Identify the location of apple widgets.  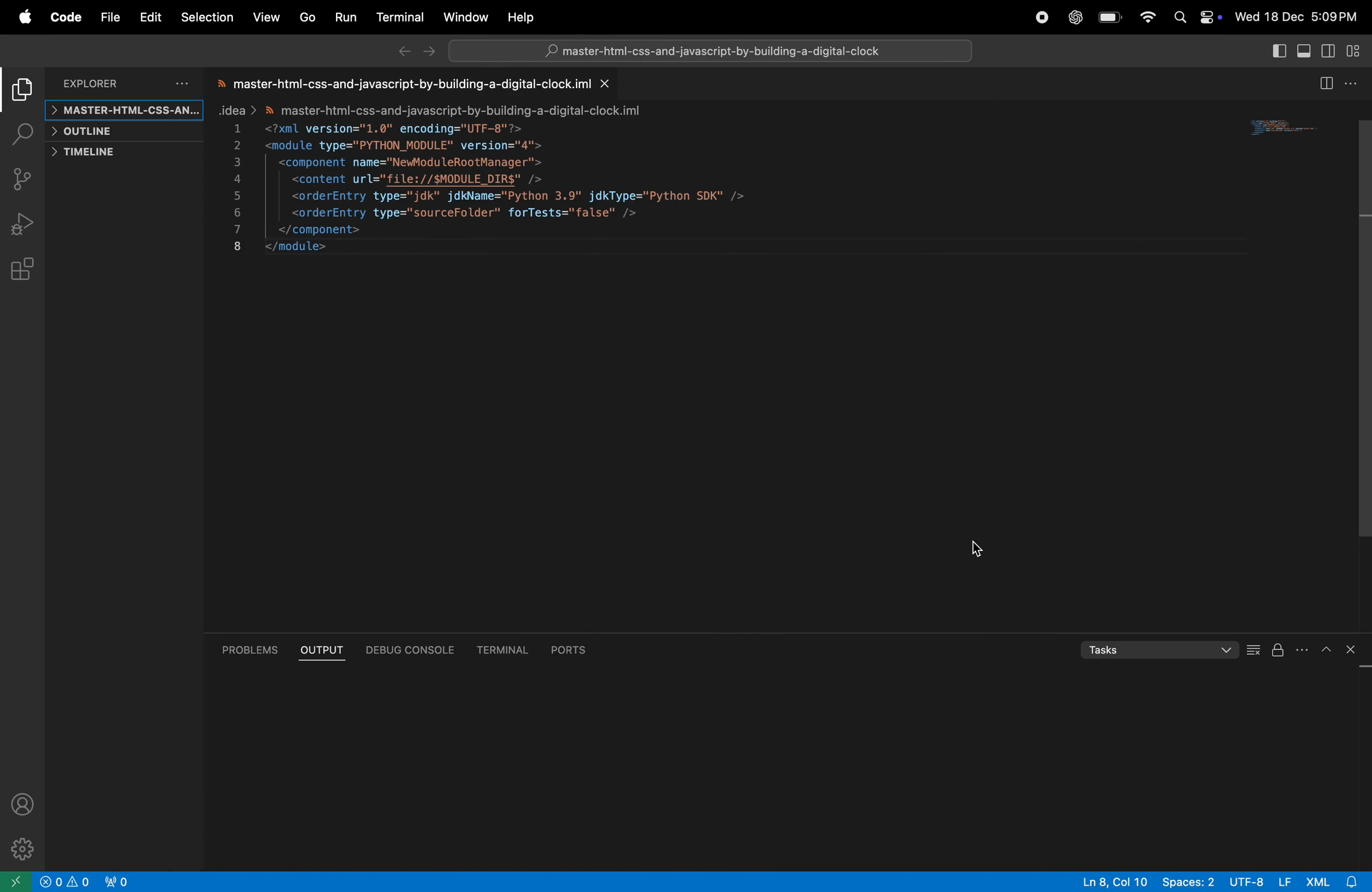
(1195, 16).